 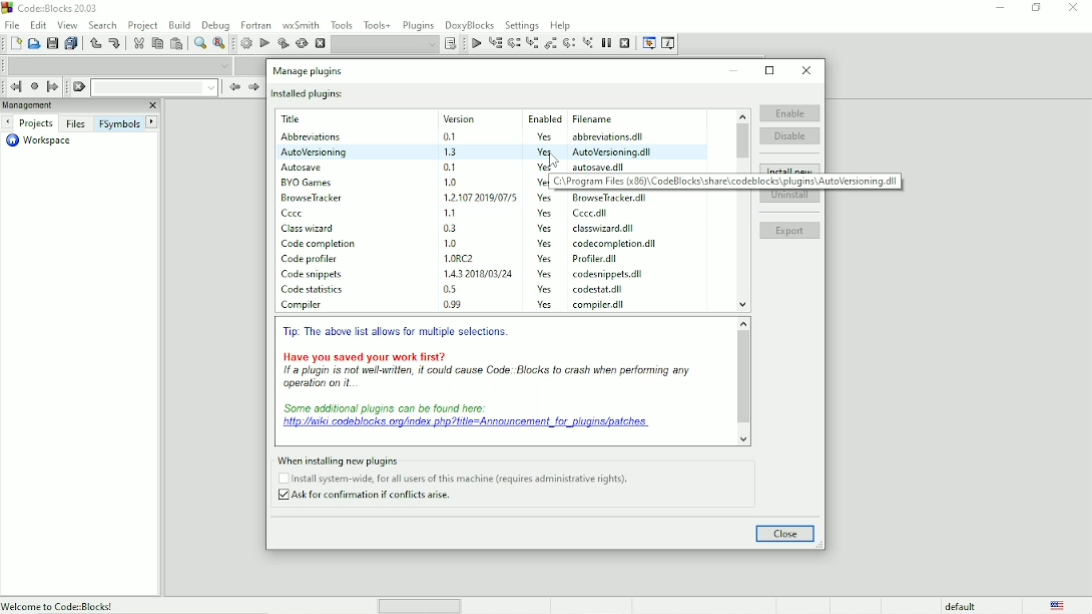 What do you see at coordinates (59, 605) in the screenshot?
I see `Welcome to Code::Blocks!` at bounding box center [59, 605].